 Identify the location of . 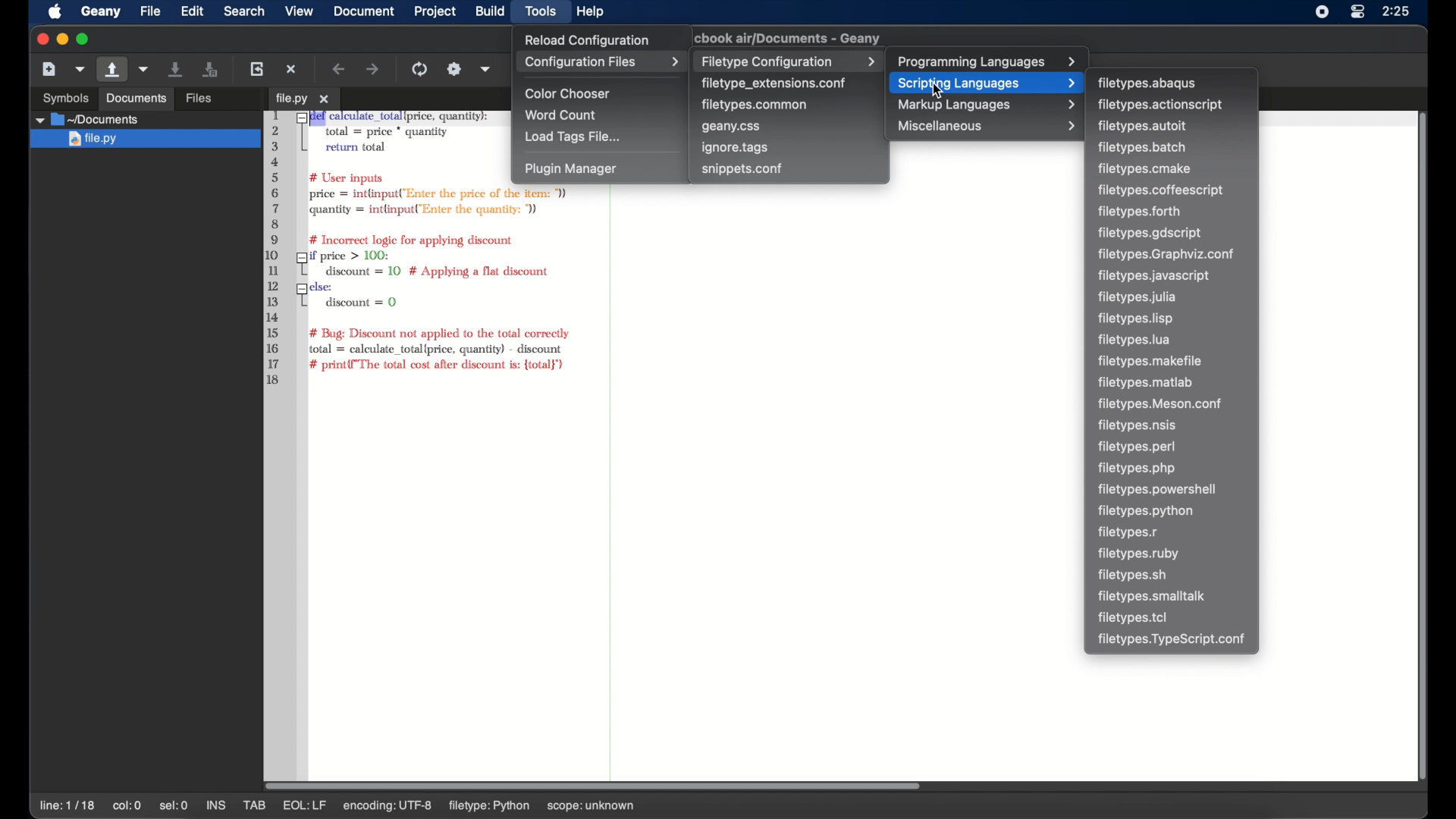
(136, 99).